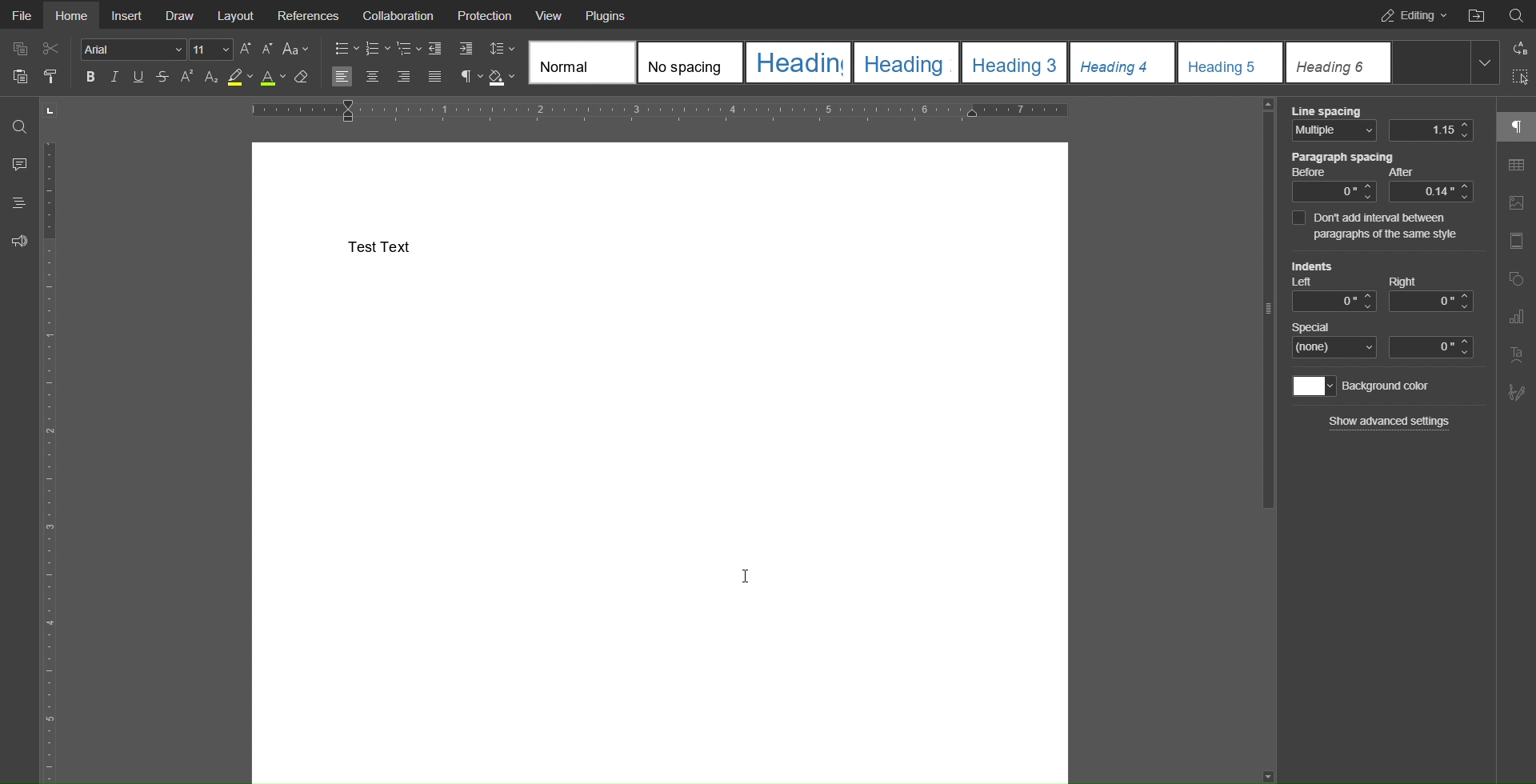  What do you see at coordinates (1516, 166) in the screenshot?
I see `Table Settings` at bounding box center [1516, 166].